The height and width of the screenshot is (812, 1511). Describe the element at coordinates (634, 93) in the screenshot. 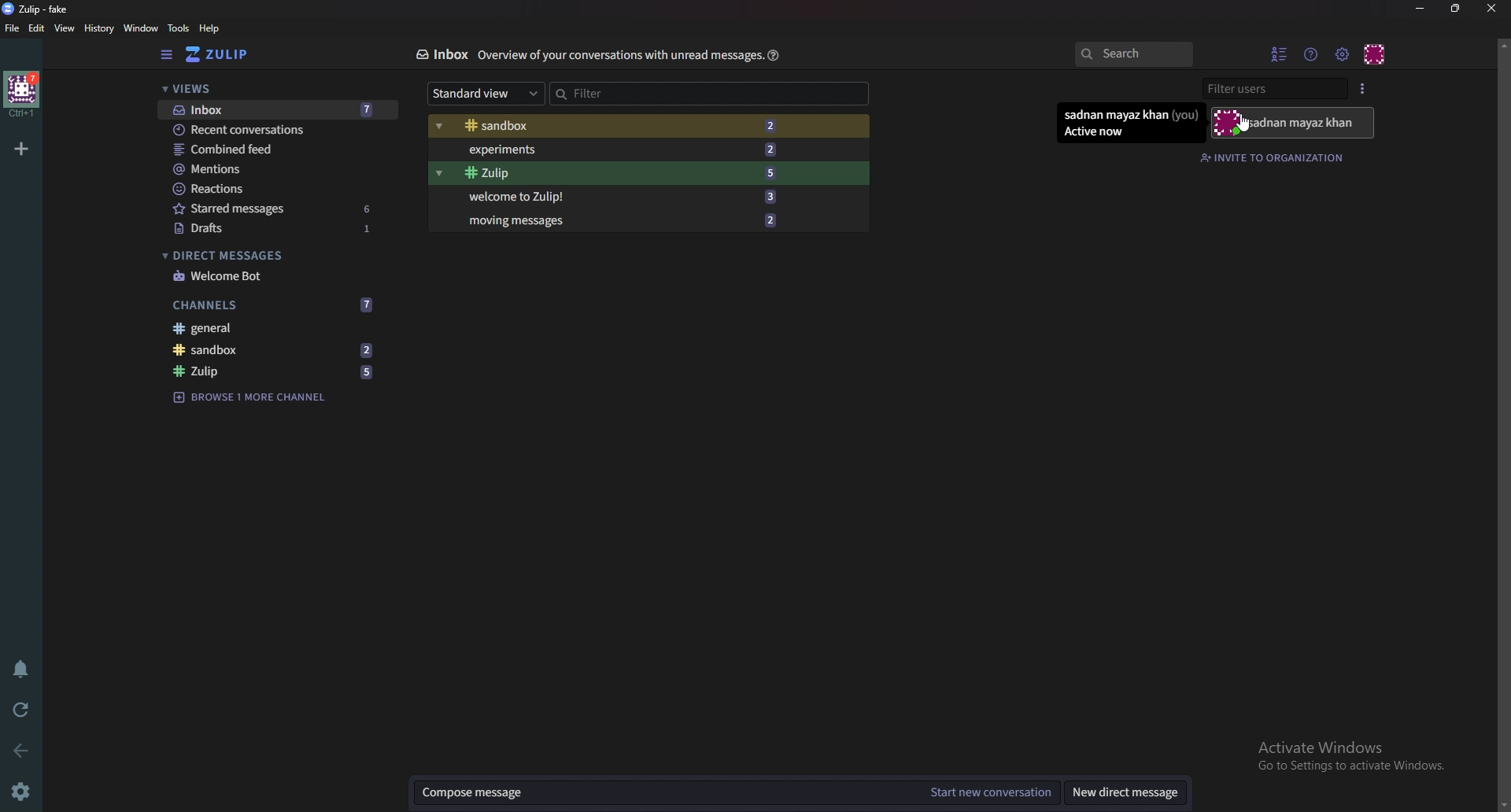

I see `Filter` at that location.